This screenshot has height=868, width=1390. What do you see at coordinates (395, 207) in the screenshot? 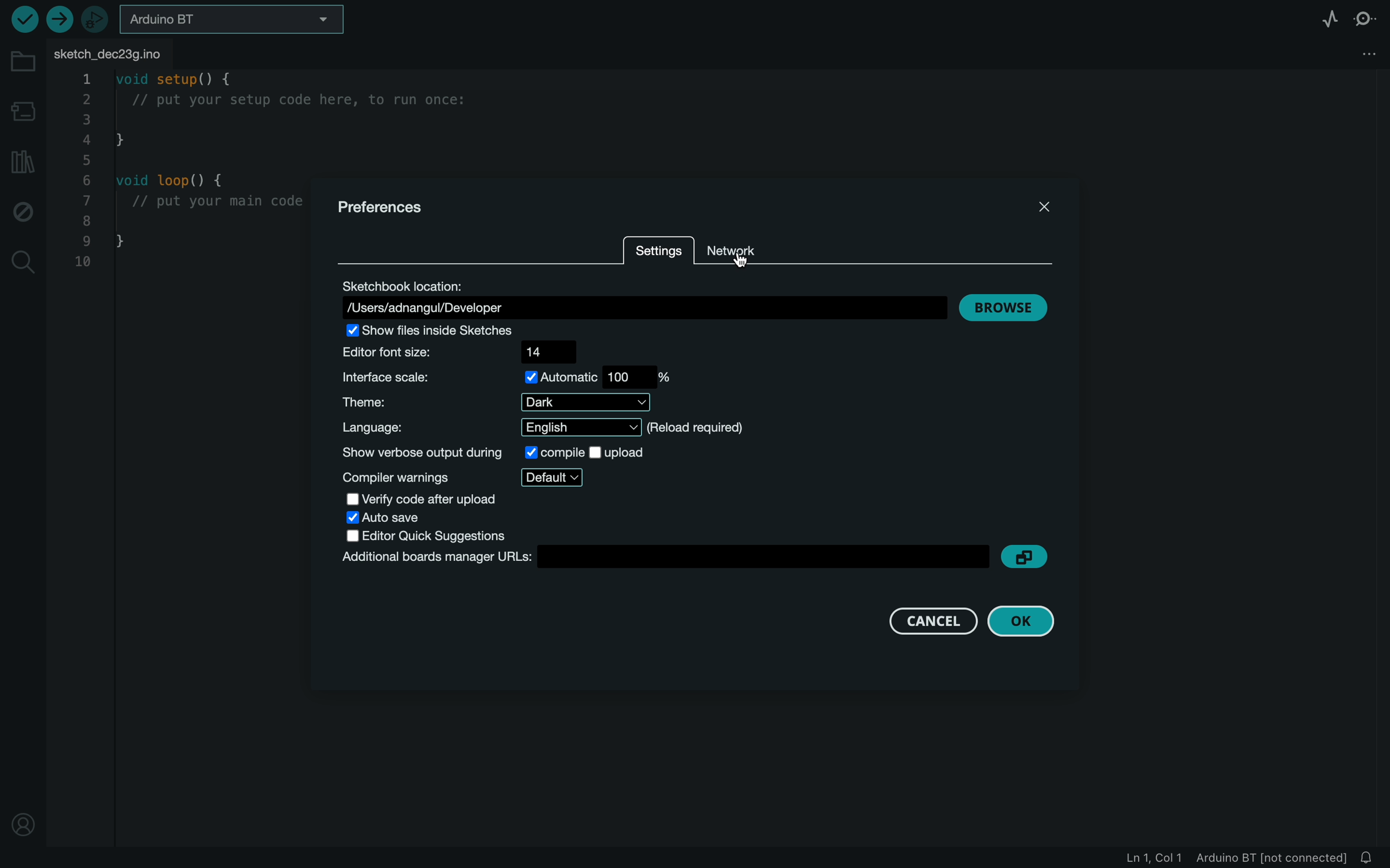
I see `preferences` at bounding box center [395, 207].